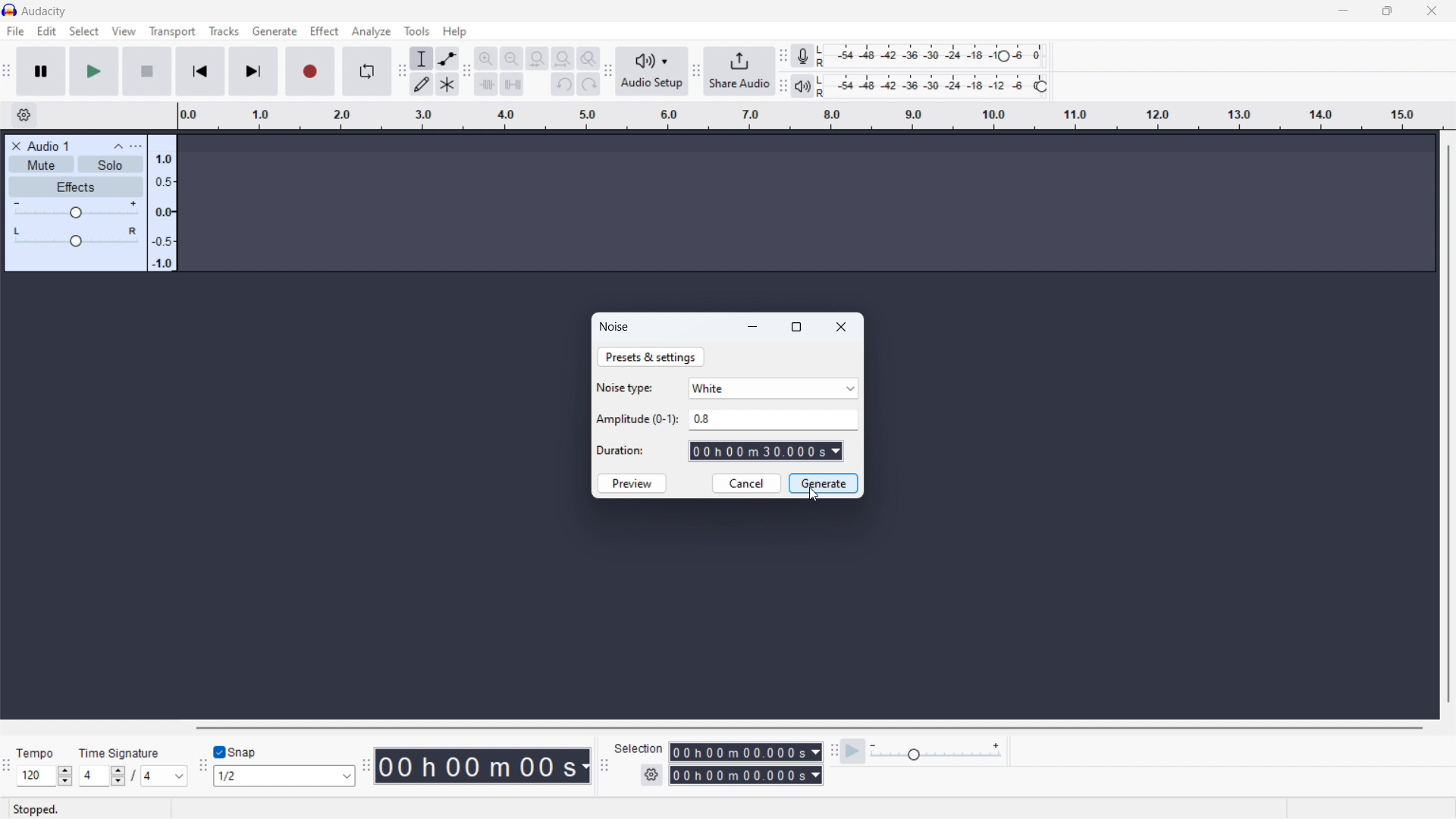 This screenshot has height=819, width=1456. What do you see at coordinates (739, 72) in the screenshot?
I see `share audio` at bounding box center [739, 72].